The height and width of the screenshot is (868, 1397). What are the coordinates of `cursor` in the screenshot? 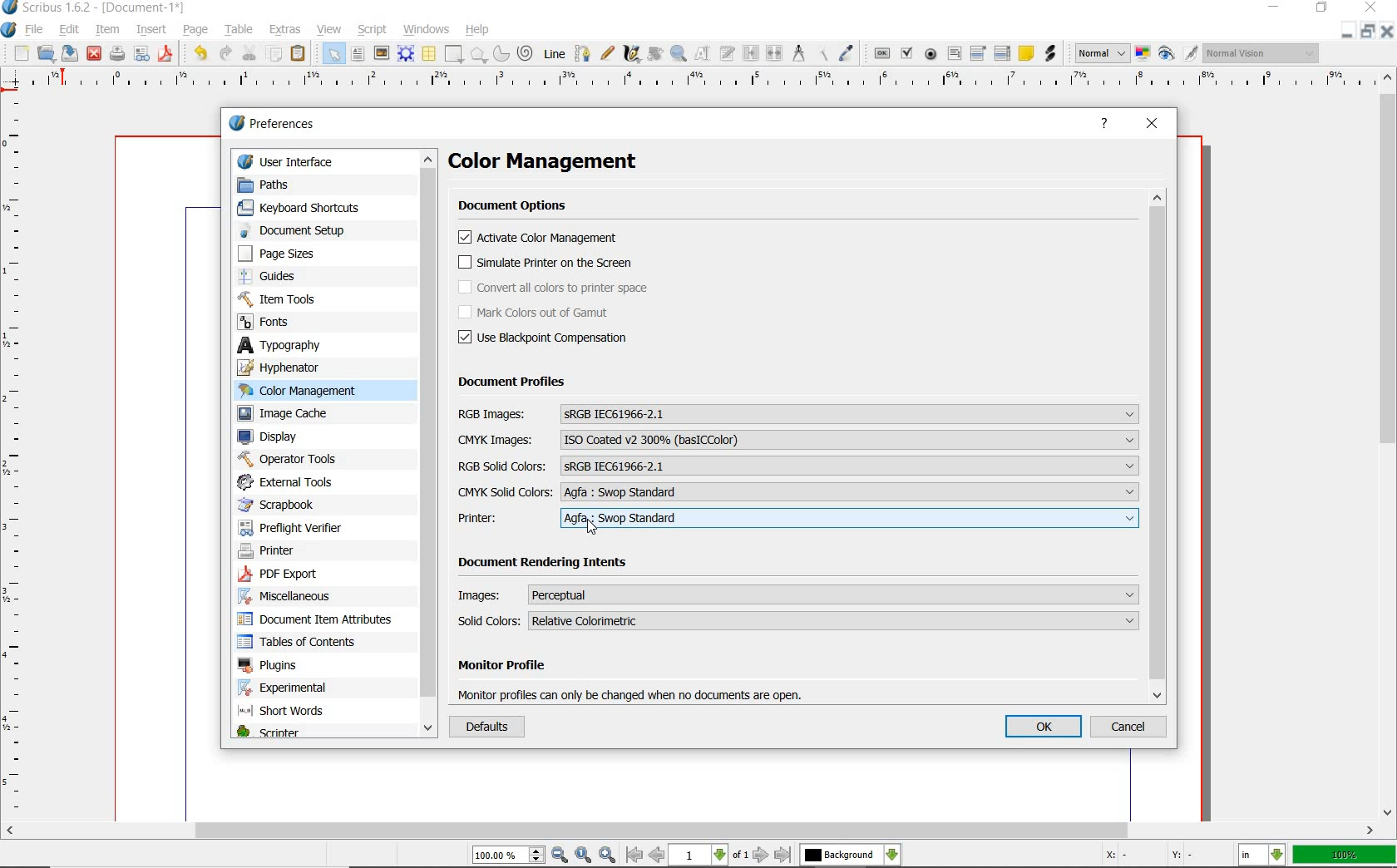 It's located at (592, 528).